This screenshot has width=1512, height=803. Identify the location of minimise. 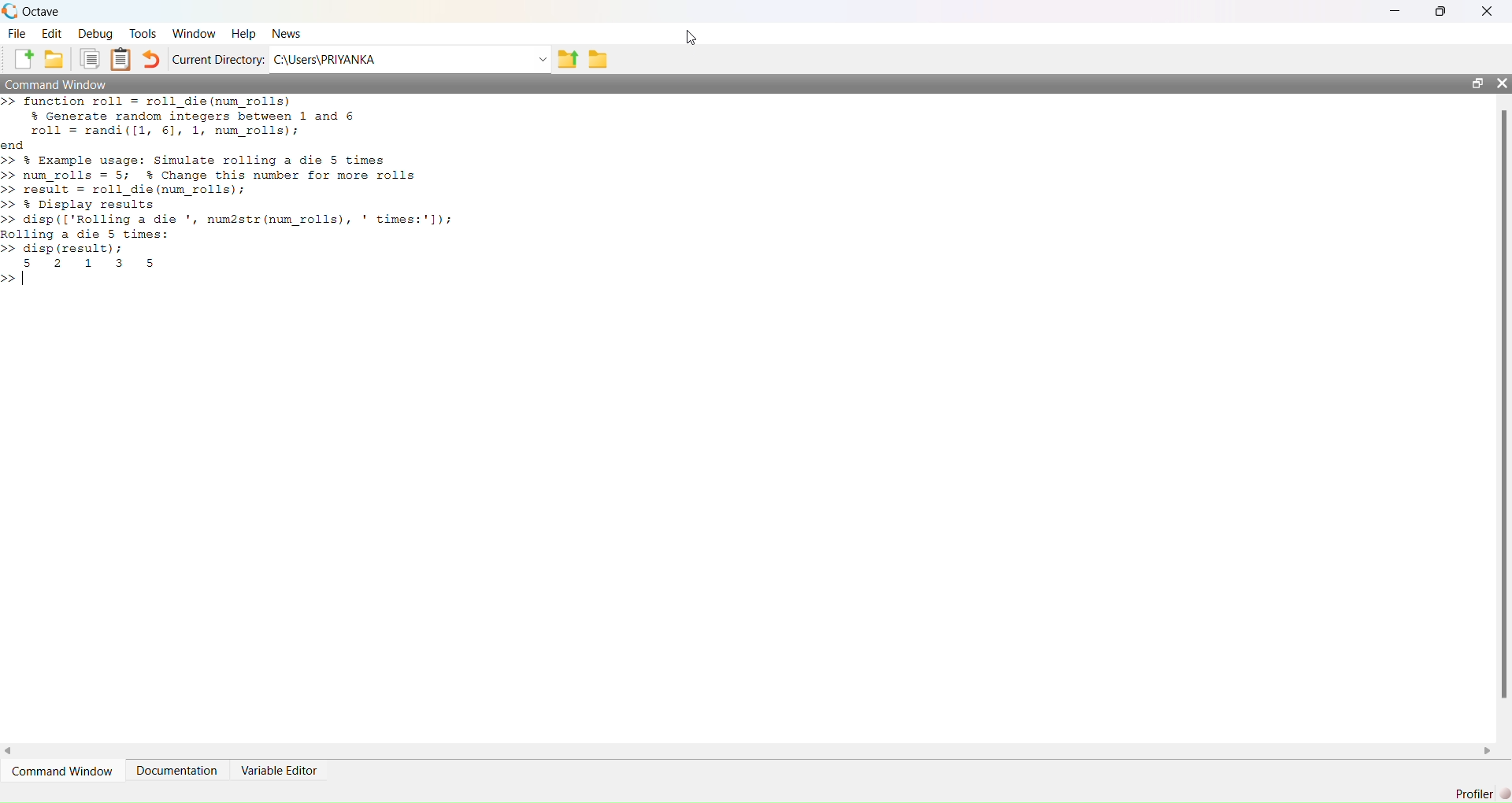
(1396, 11).